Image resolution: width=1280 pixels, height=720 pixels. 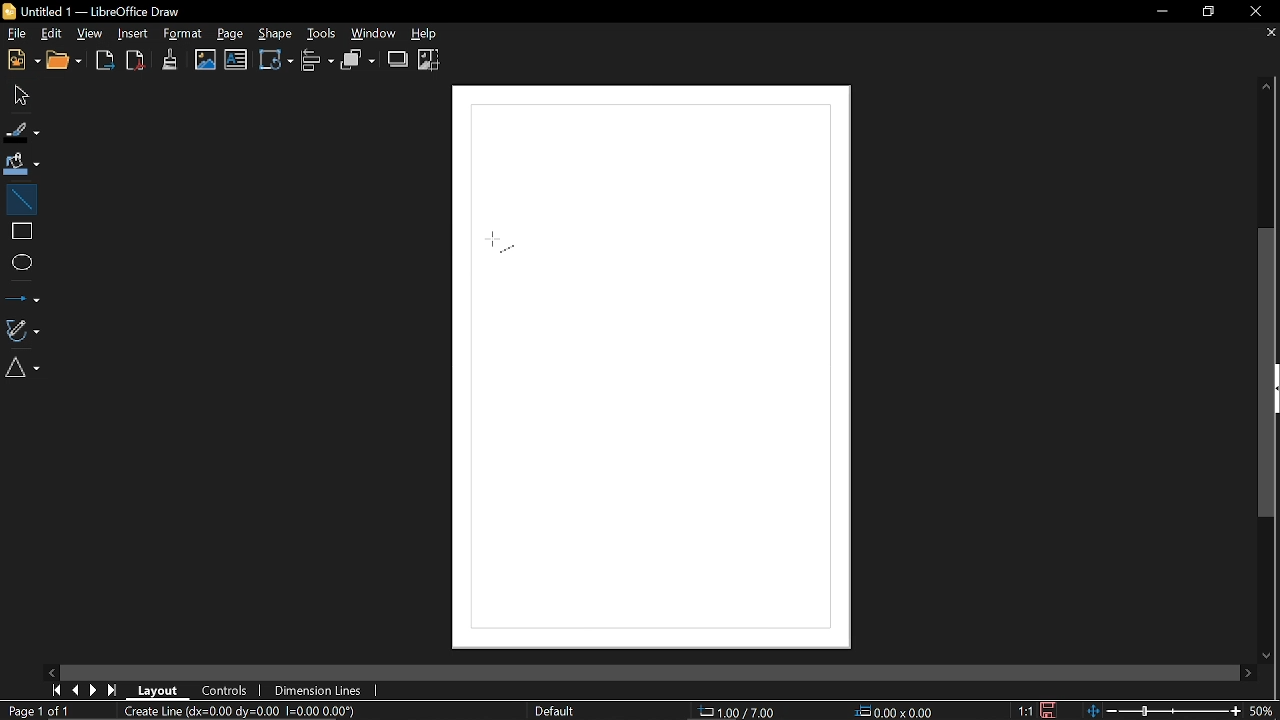 I want to click on Shadow, so click(x=397, y=59).